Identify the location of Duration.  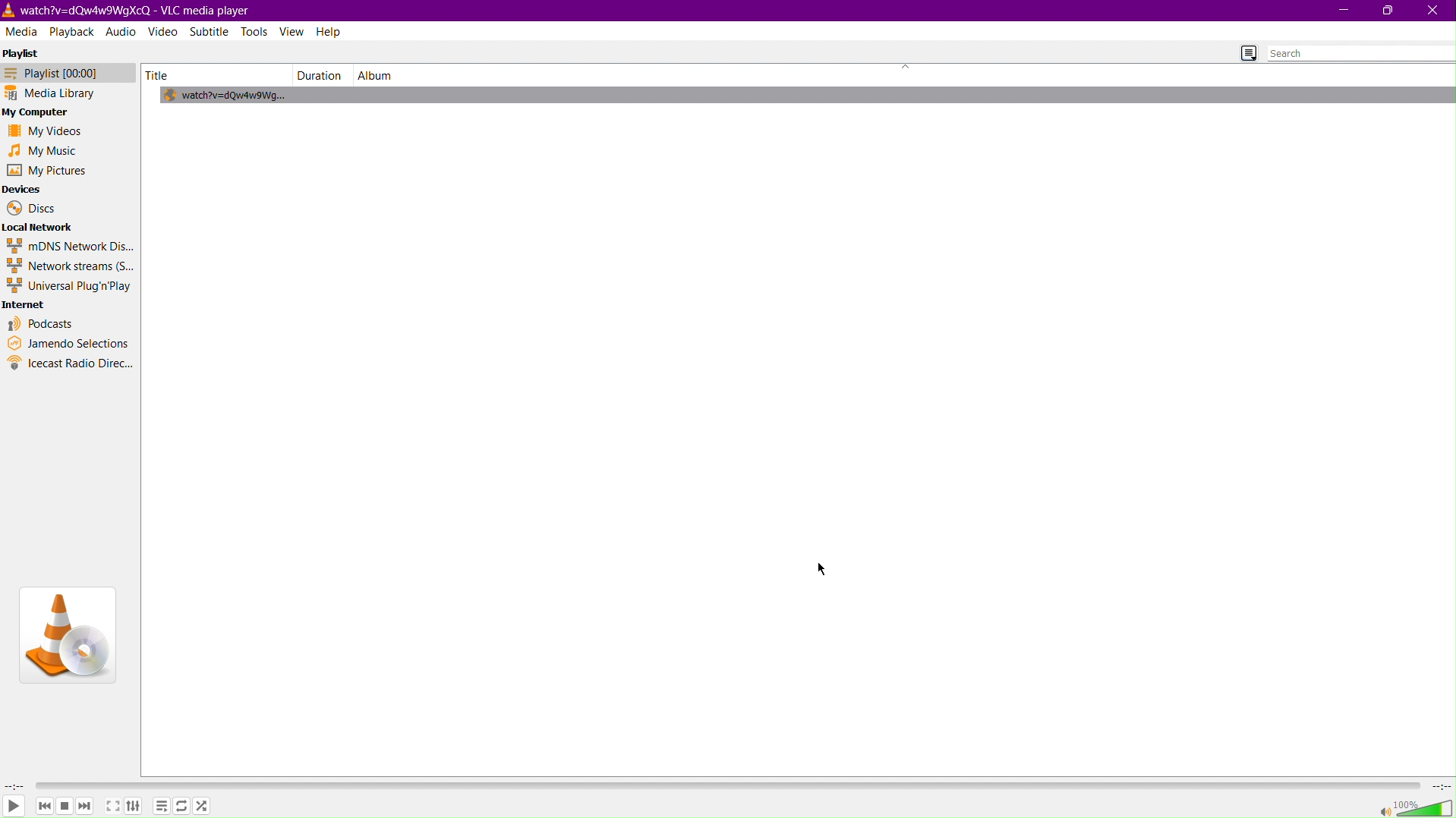
(322, 74).